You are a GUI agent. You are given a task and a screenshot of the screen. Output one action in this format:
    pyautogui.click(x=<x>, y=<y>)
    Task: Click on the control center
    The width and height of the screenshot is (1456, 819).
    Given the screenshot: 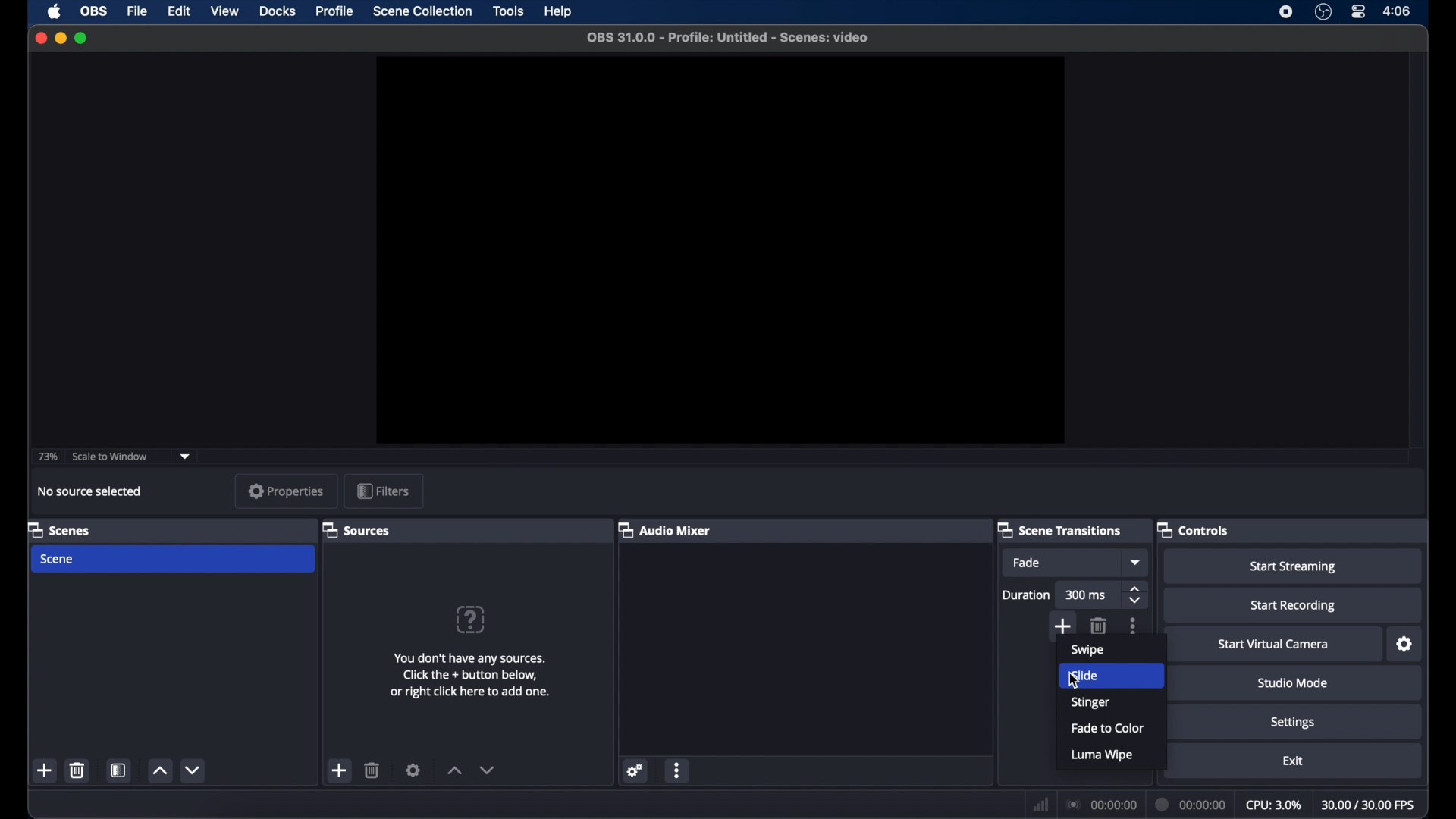 What is the action you would take?
    pyautogui.click(x=1359, y=12)
    